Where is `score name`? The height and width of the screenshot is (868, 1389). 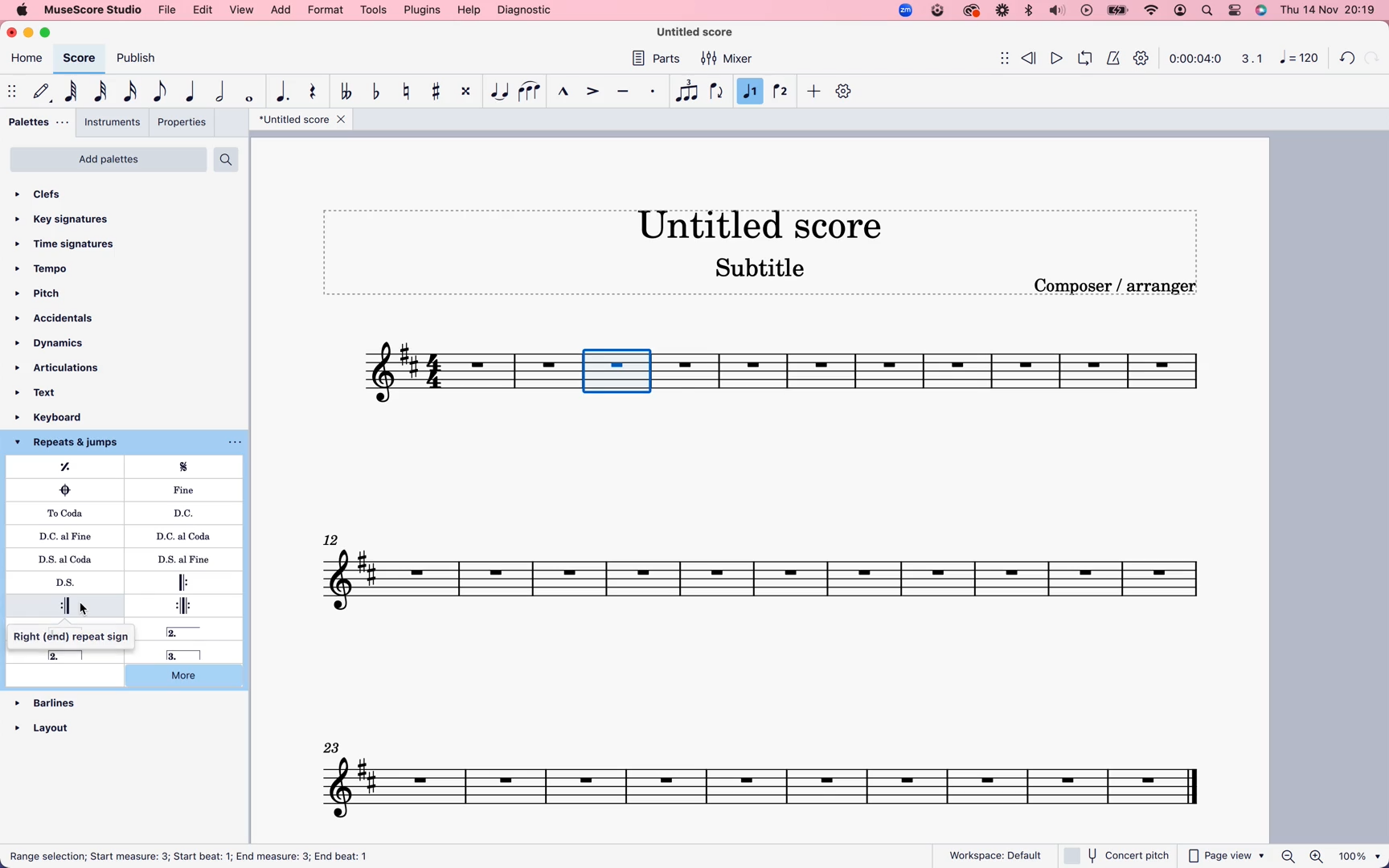 score name is located at coordinates (301, 120).